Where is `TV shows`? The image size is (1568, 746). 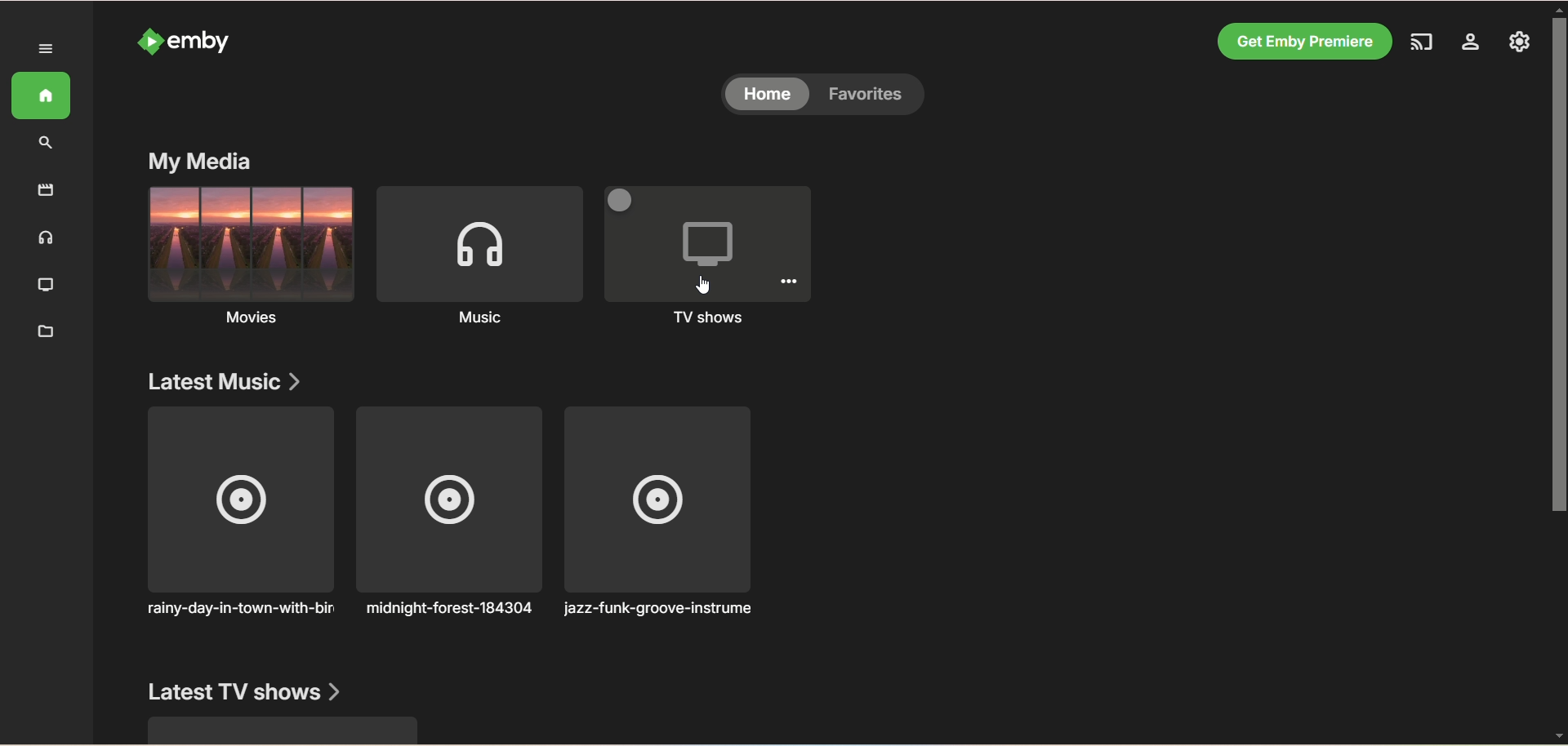
TV shows is located at coordinates (45, 287).